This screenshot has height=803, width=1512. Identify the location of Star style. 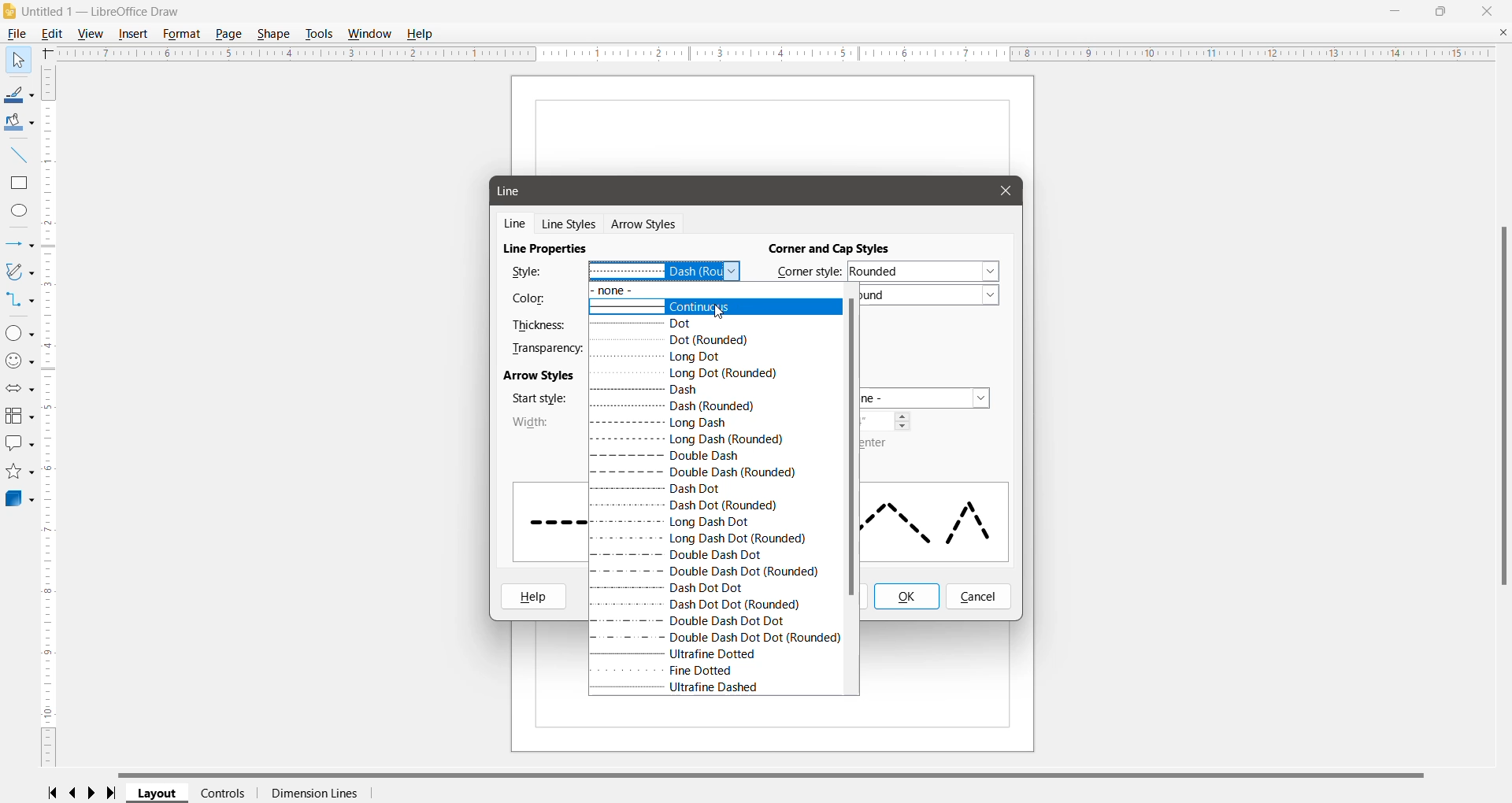
(536, 399).